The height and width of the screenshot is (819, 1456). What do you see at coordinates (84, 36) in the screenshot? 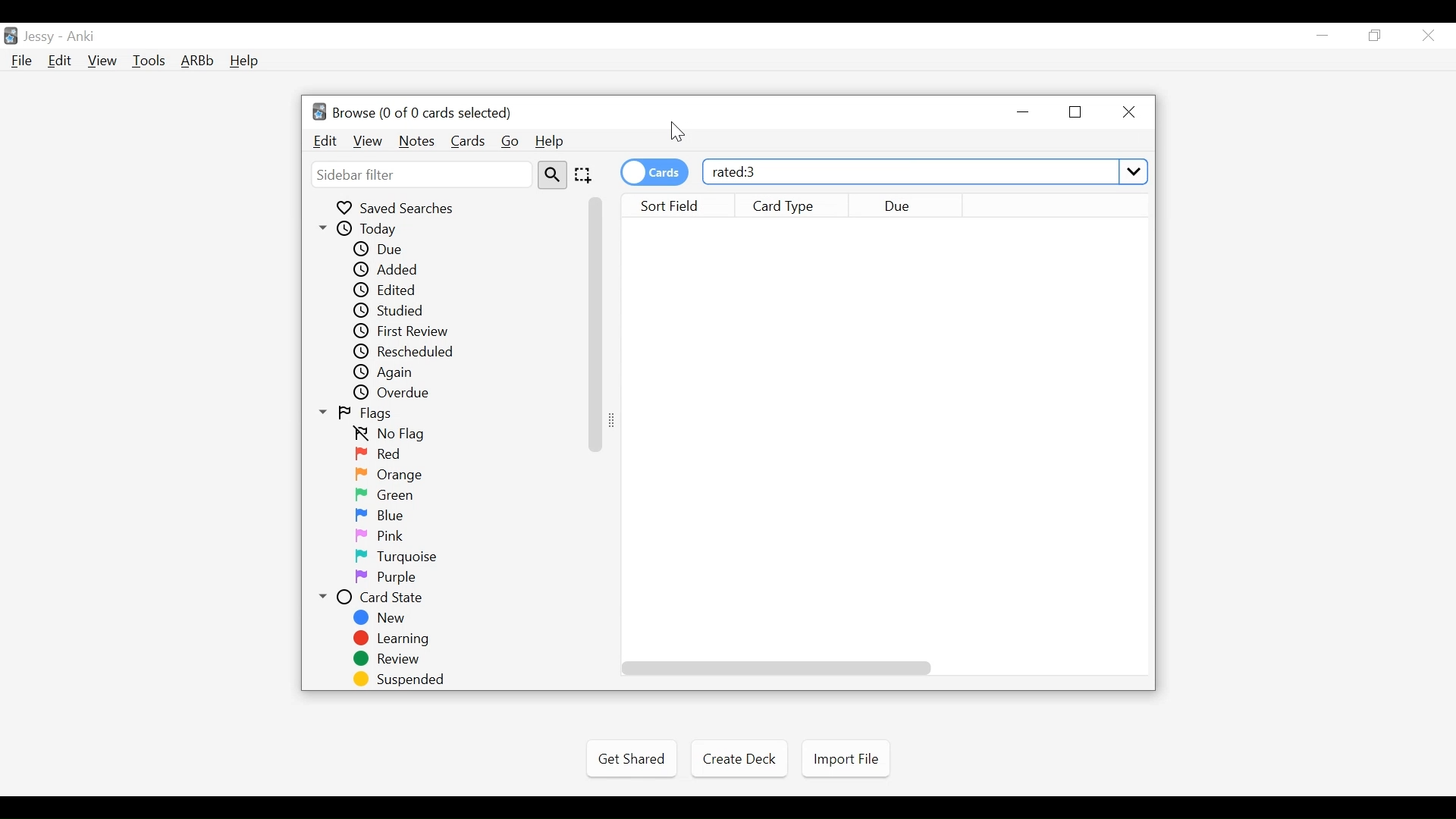
I see `Anki` at bounding box center [84, 36].